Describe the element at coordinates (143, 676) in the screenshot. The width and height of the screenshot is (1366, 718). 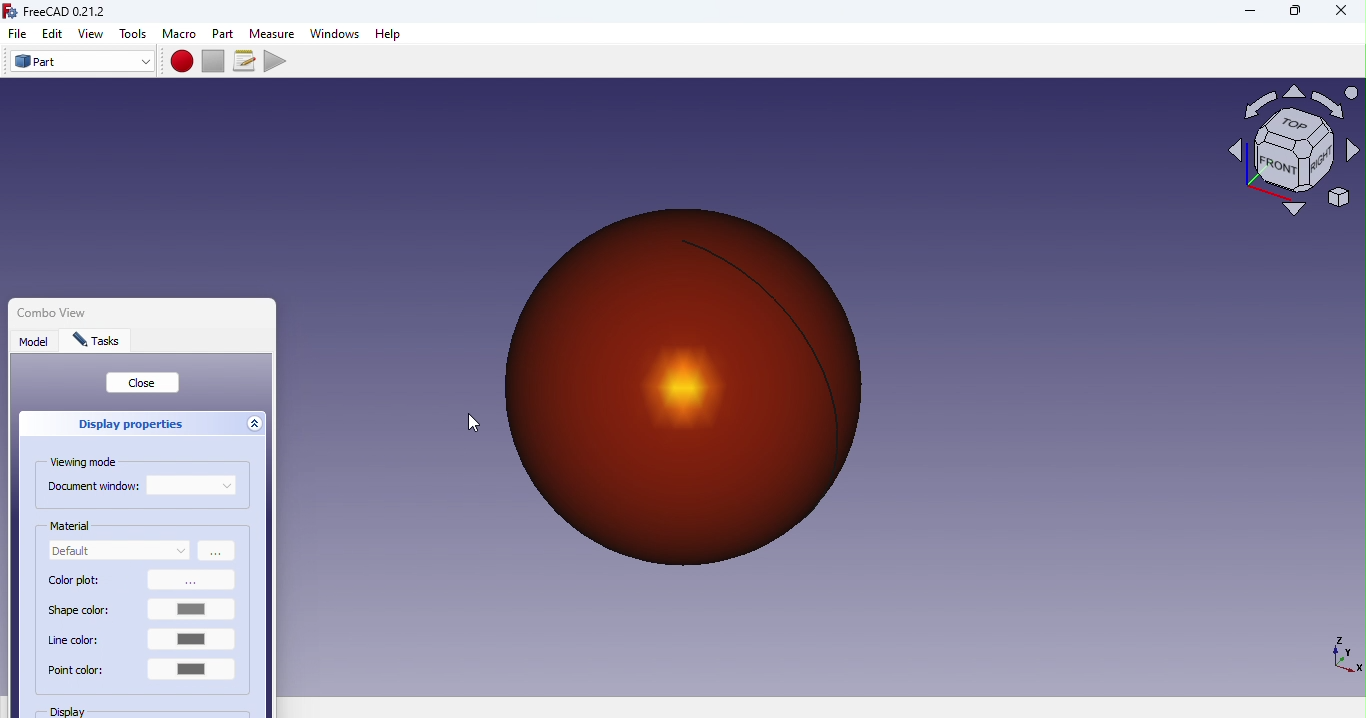
I see `Point color` at that location.